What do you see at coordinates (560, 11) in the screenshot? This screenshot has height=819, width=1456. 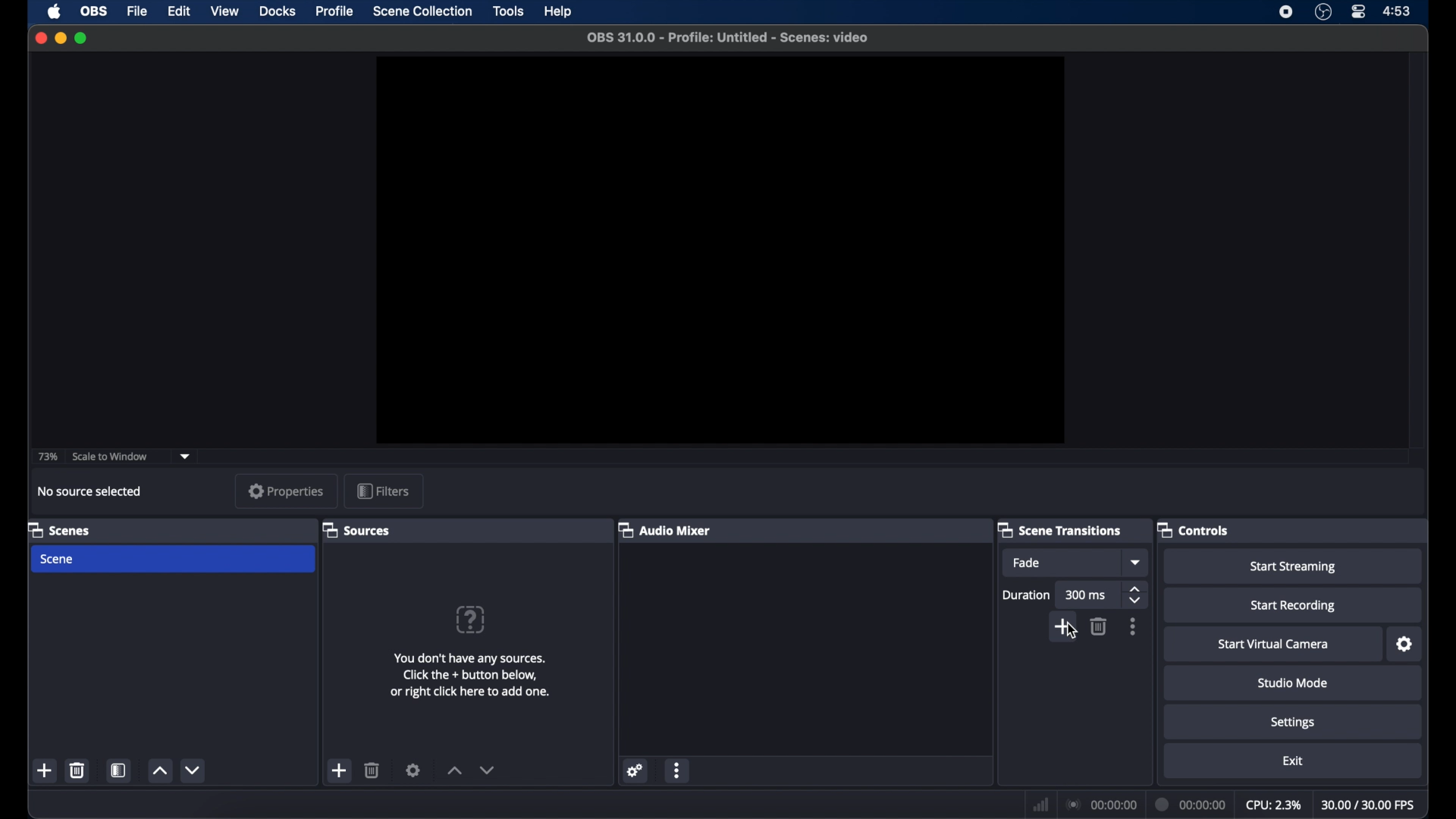 I see `help` at bounding box center [560, 11].